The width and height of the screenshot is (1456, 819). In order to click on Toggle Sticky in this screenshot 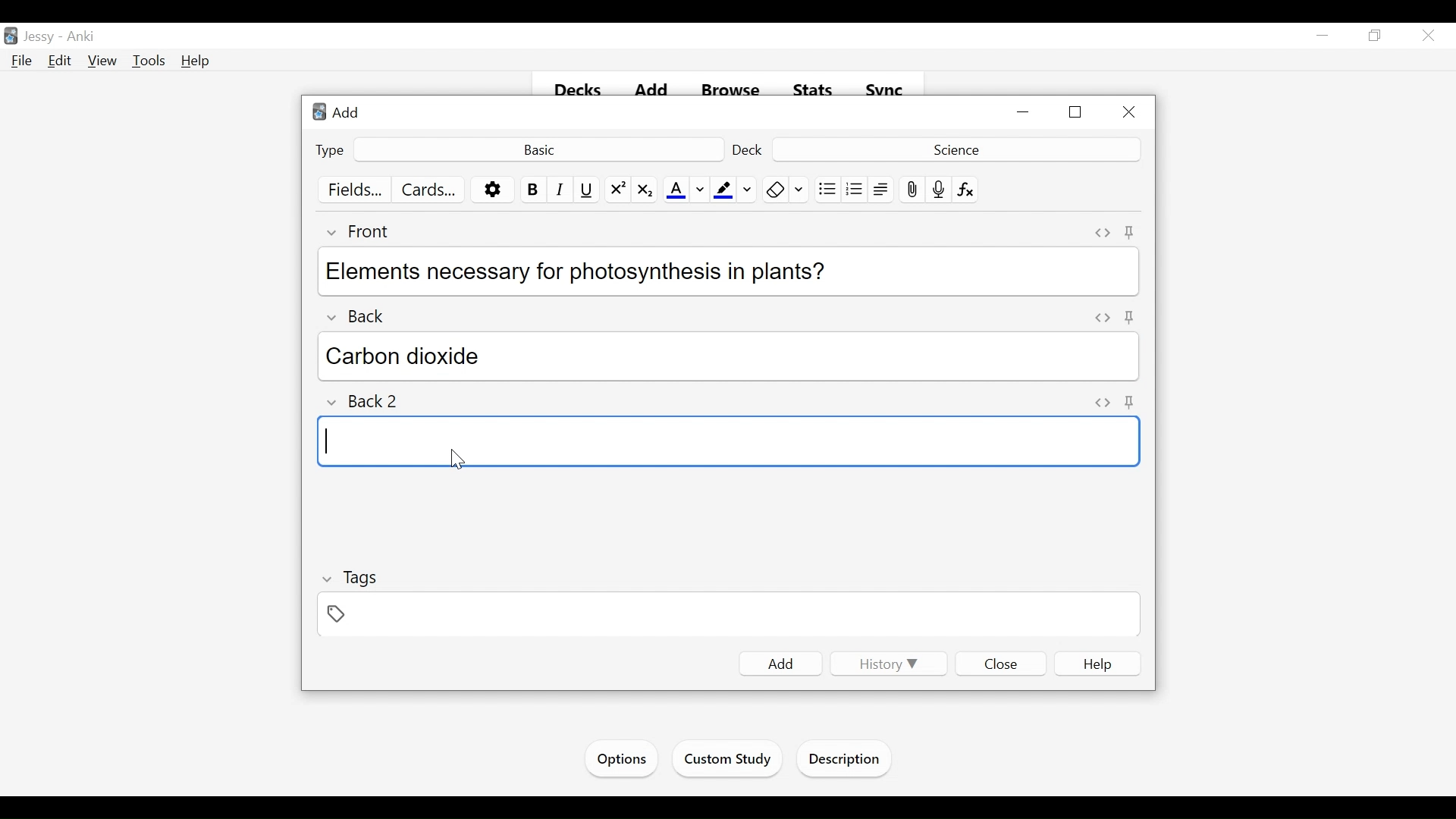, I will do `click(1131, 402)`.